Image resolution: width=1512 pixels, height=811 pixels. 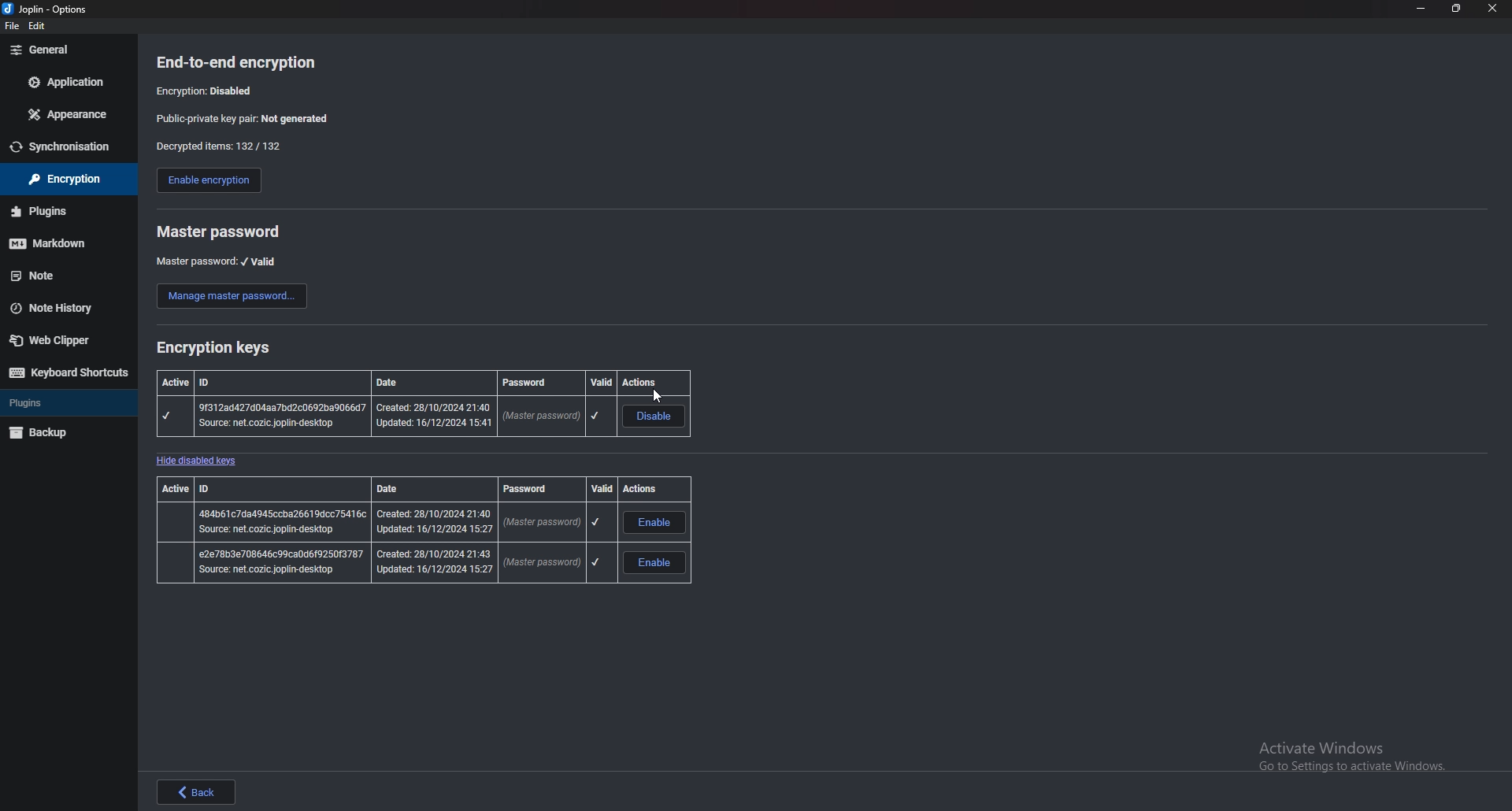 I want to click on actions, so click(x=654, y=383).